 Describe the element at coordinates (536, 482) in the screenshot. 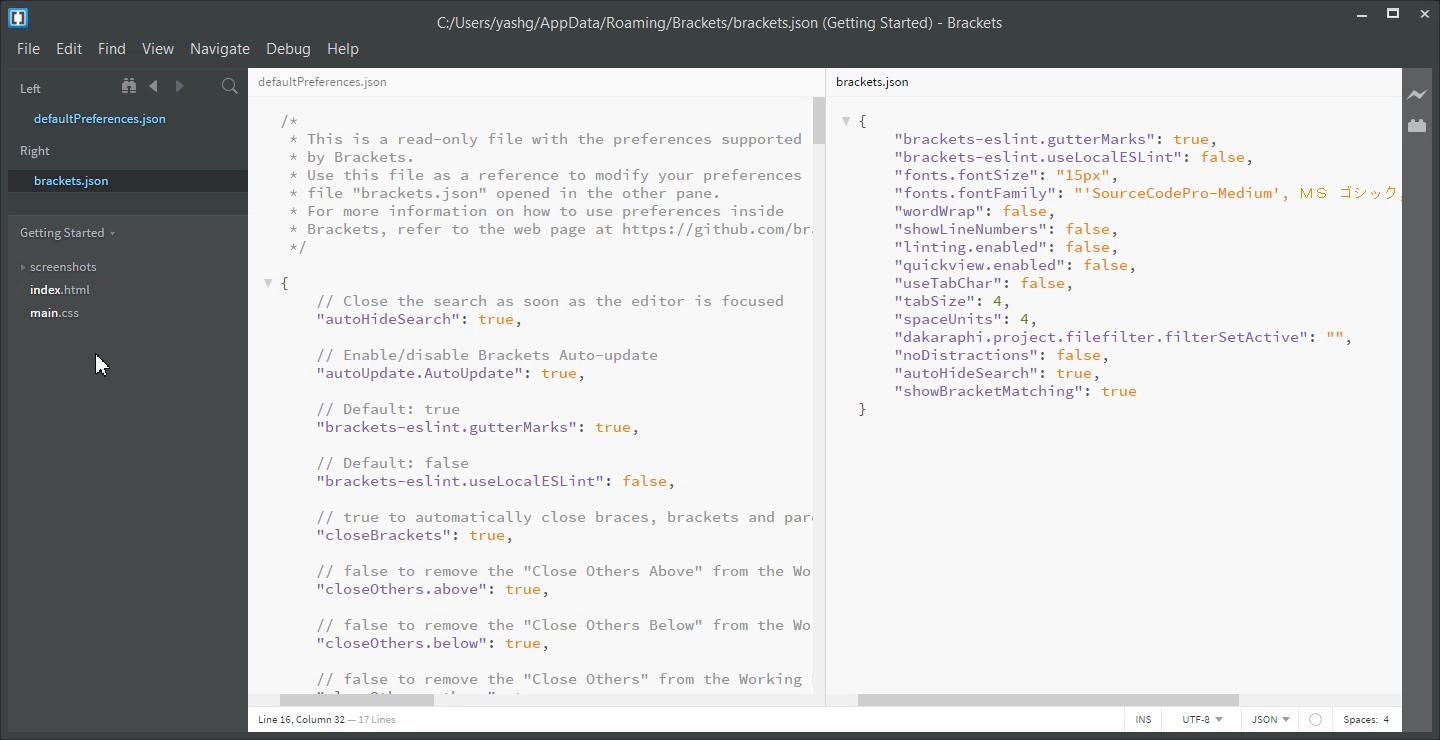

I see `{
// Close the search as soon as the editor is focused
"autoHideSearch": true,
// Enable/disable Brackets Auto-update
"autoUpdate. AutoUpdate": true,
// Default: true
"brackets-eslint.gutterMarks": true,
// Default: false
"brackets-eslint.uselocalESLint": false,
// true to automatically close braces, brackets and par
"closeBrackets": true,
// false to remove the "Close Others Above" from the Wo
"closeOthers. above": true,
// false to remove the "Close Others Below" from the Wo
"closeOthers.below": true,
// false to remove the "Close Others" from the Working` at that location.